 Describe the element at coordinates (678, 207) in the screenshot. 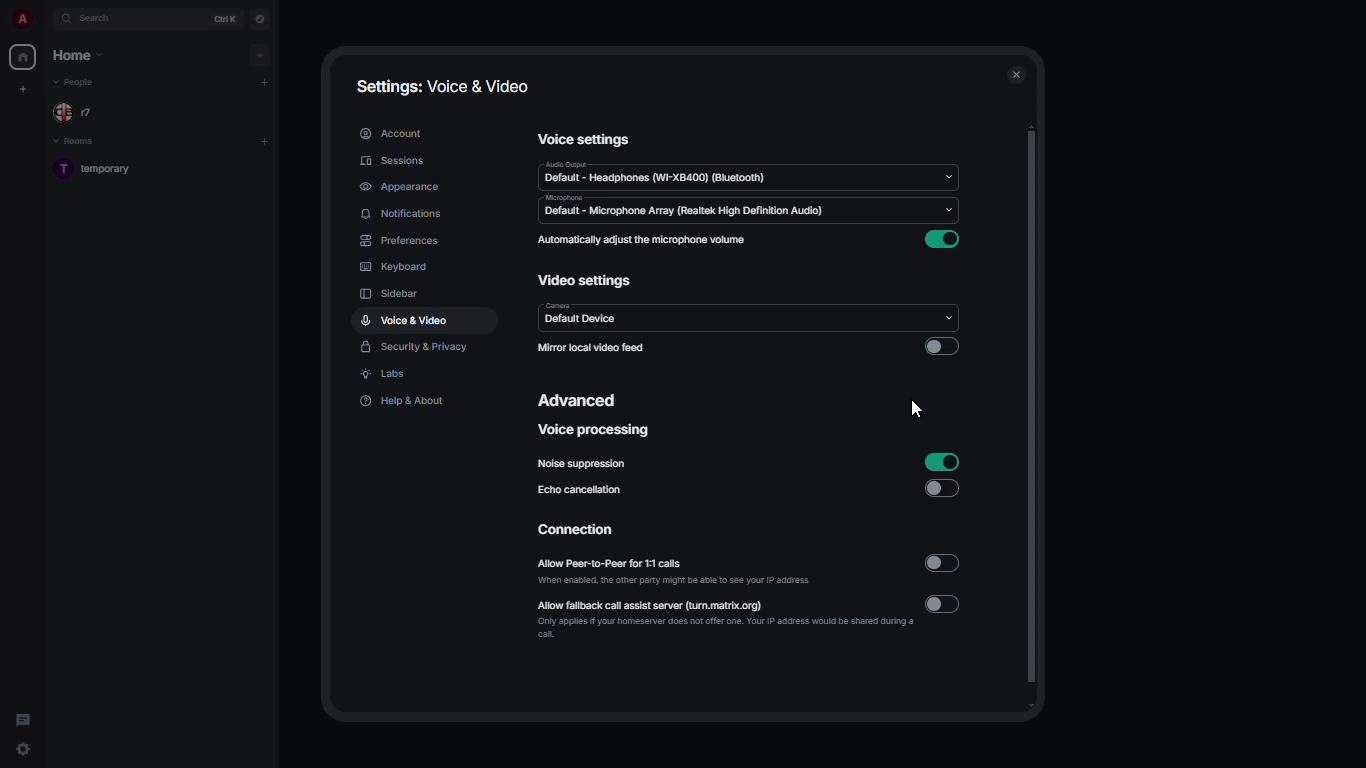

I see `microphone default` at that location.